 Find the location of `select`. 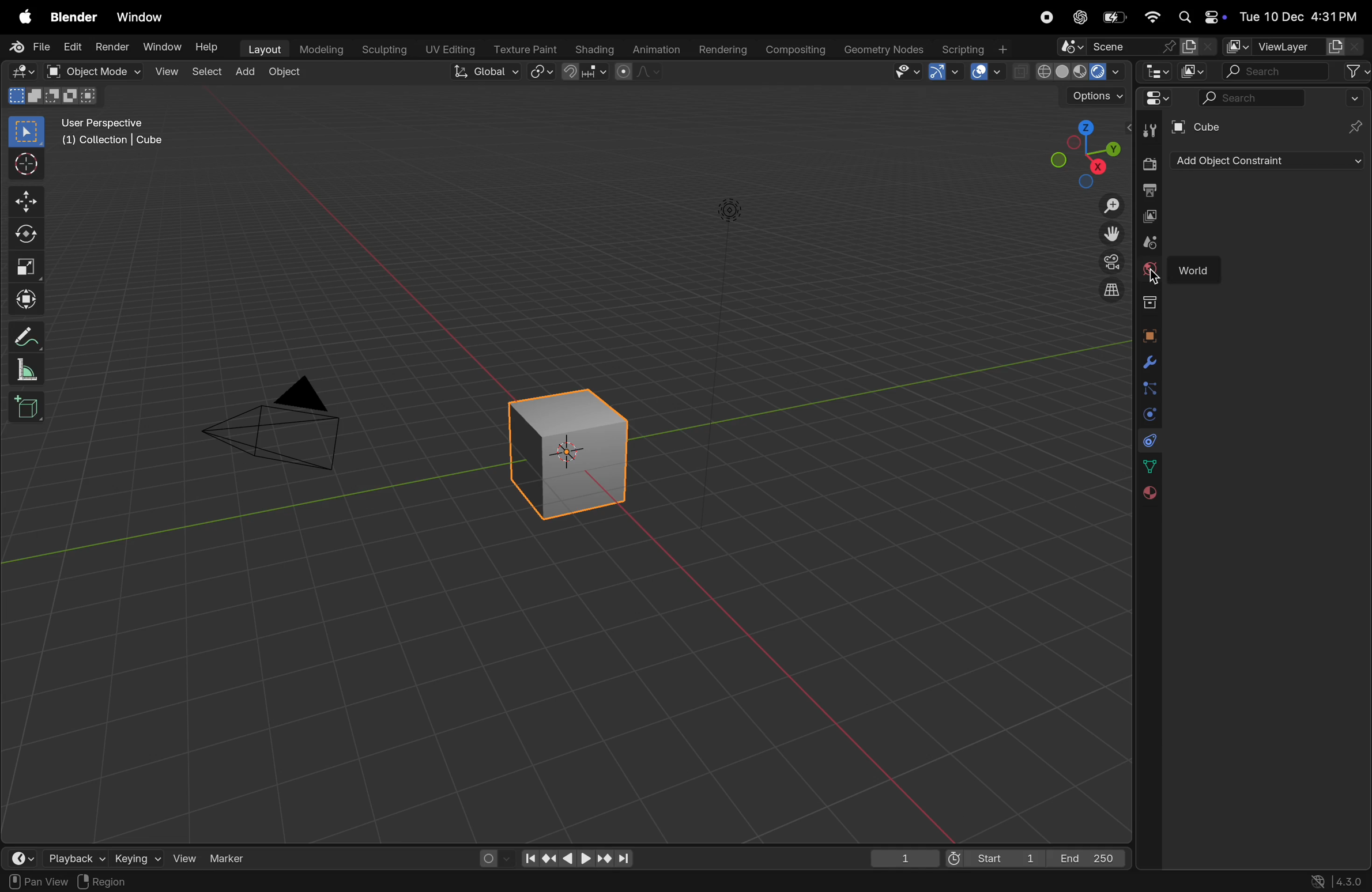

select is located at coordinates (28, 132).